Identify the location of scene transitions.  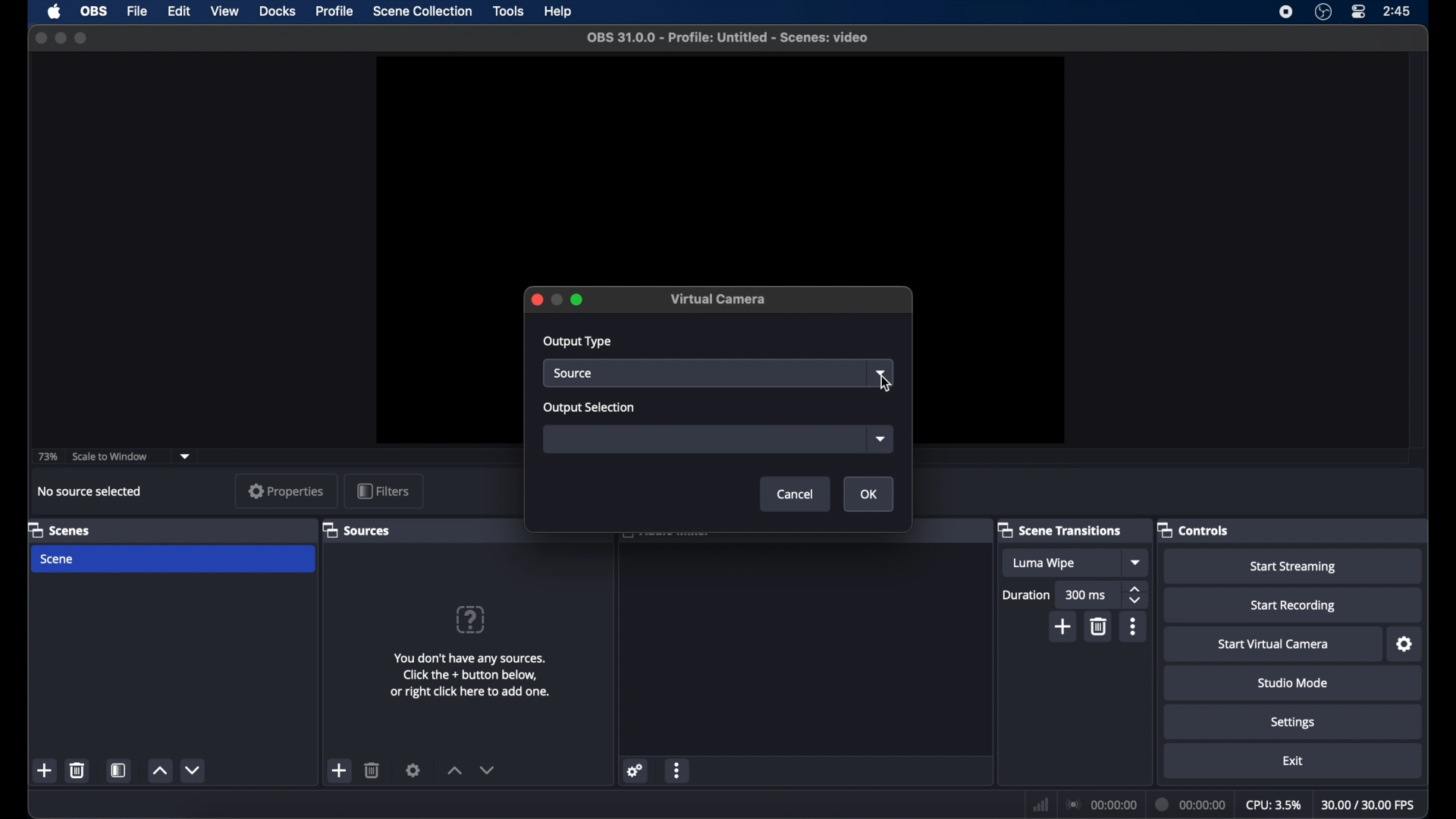
(1059, 531).